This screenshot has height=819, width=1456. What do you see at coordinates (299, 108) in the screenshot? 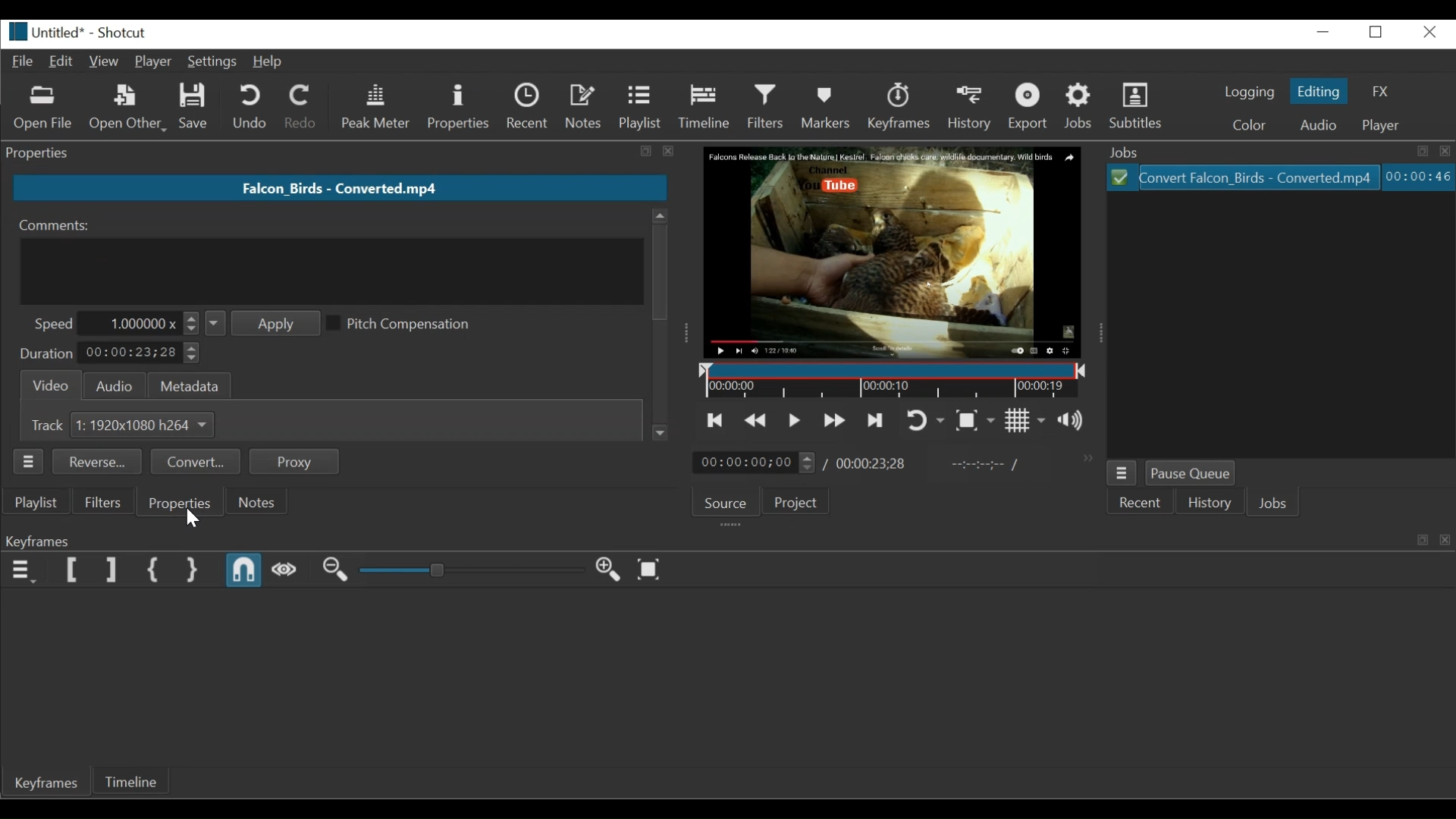
I see `Redo` at bounding box center [299, 108].